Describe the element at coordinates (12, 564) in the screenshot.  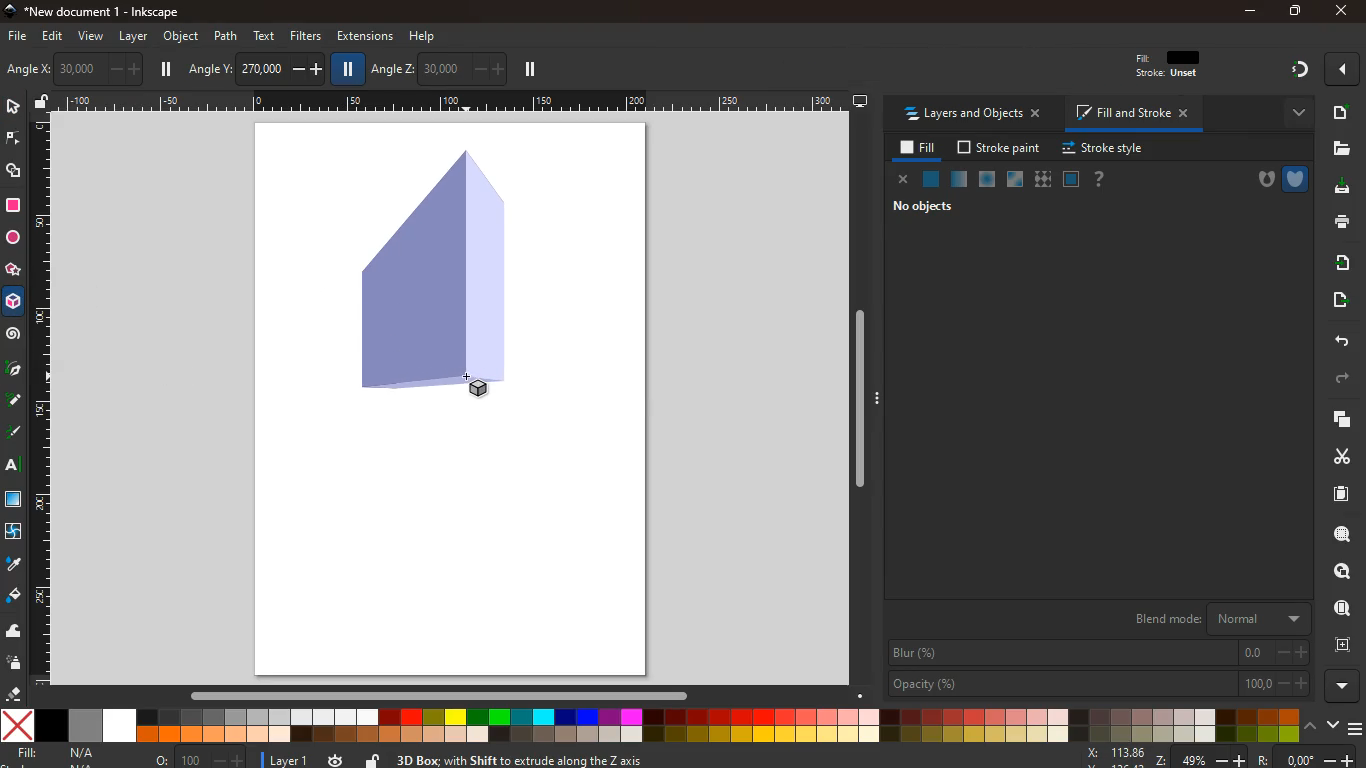
I see `drop` at that location.